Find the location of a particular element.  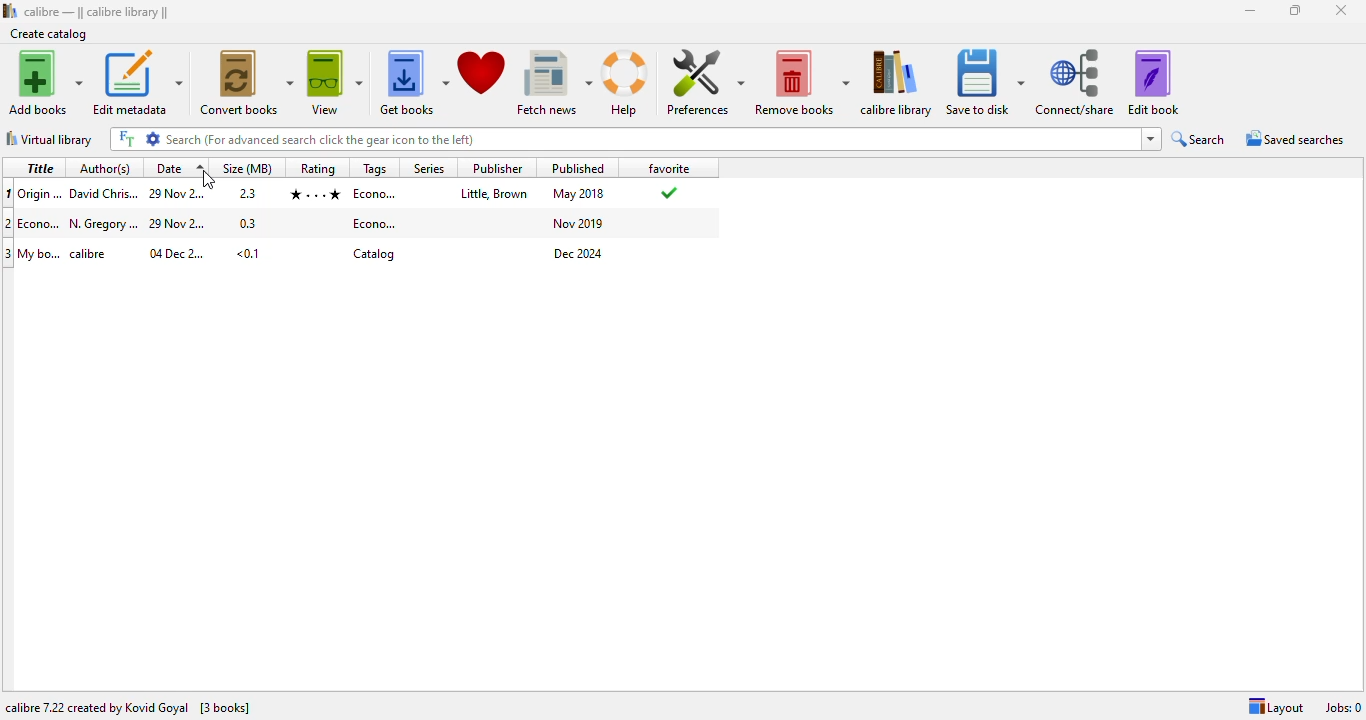

tag is located at coordinates (375, 223).